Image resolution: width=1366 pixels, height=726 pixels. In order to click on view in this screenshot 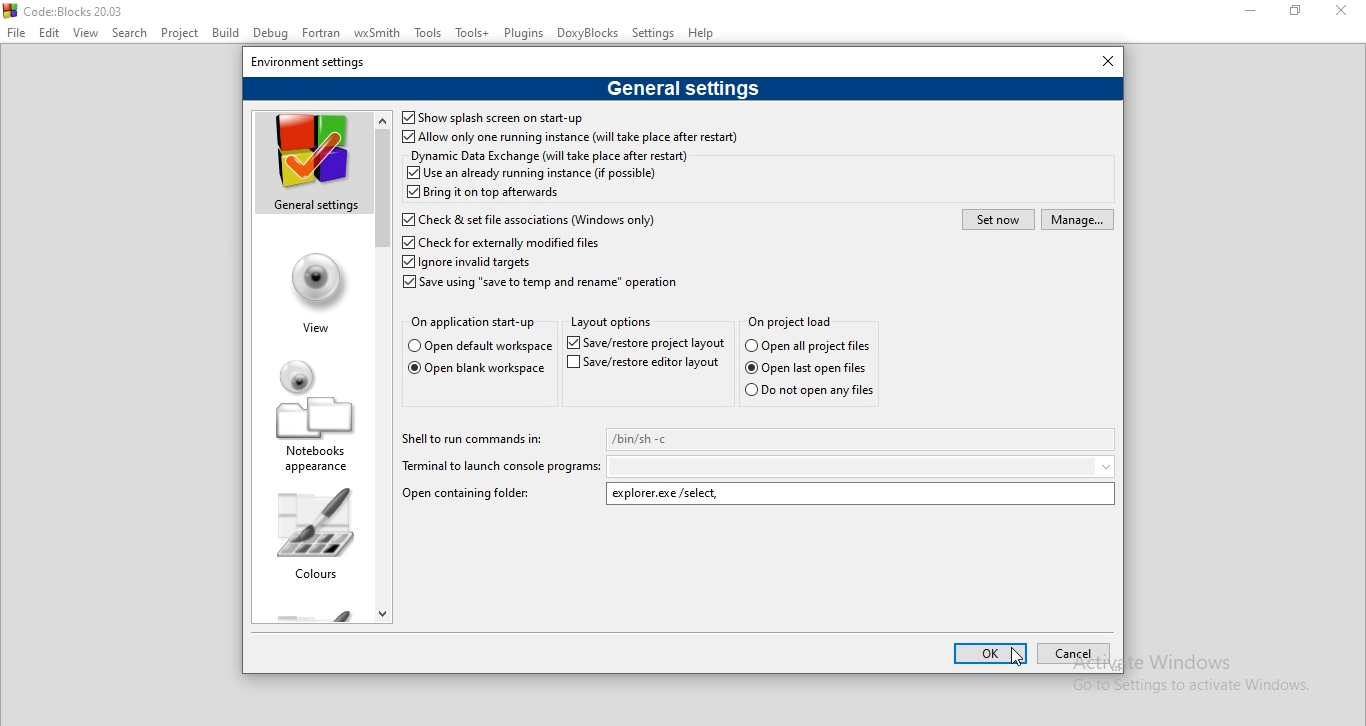, I will do `click(311, 289)`.